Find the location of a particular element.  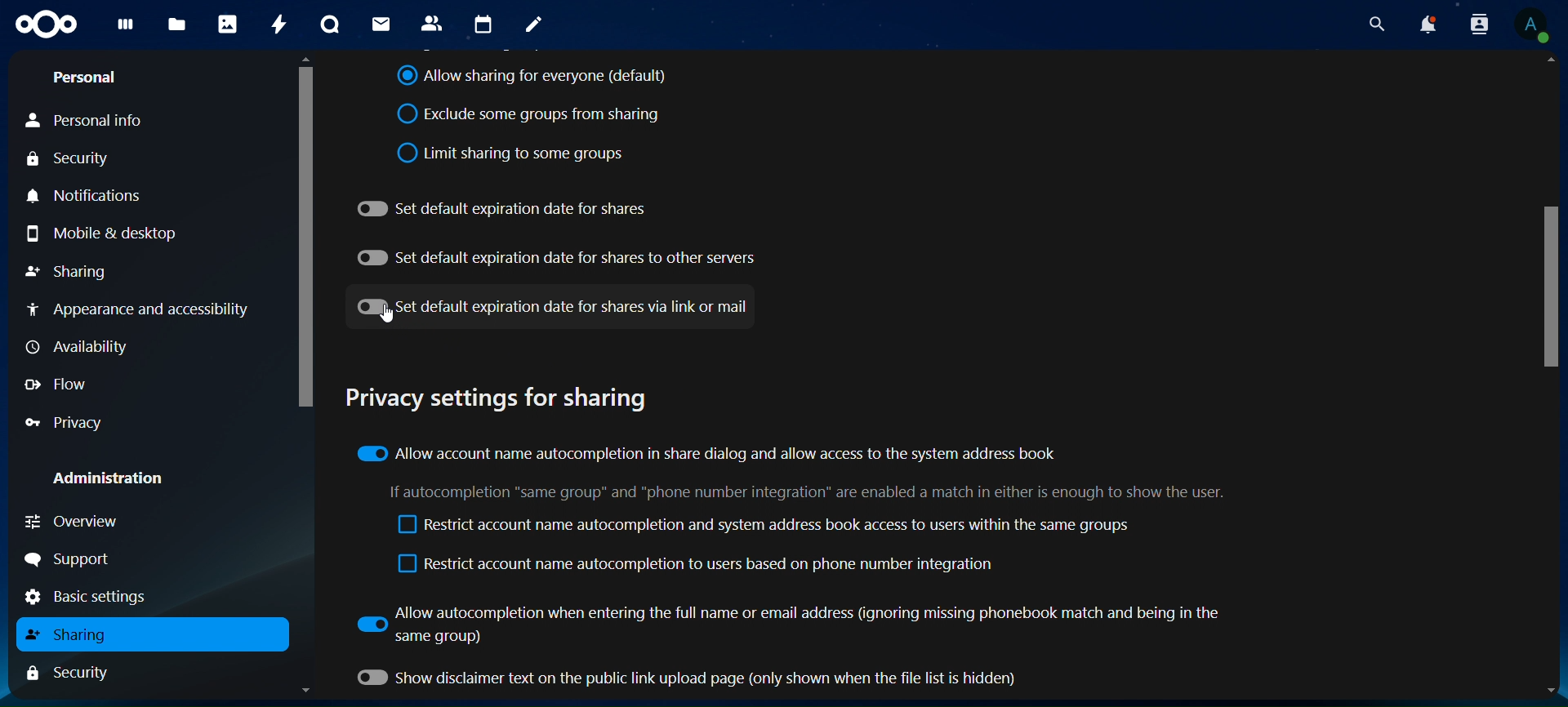

mobile & desktop is located at coordinates (103, 235).